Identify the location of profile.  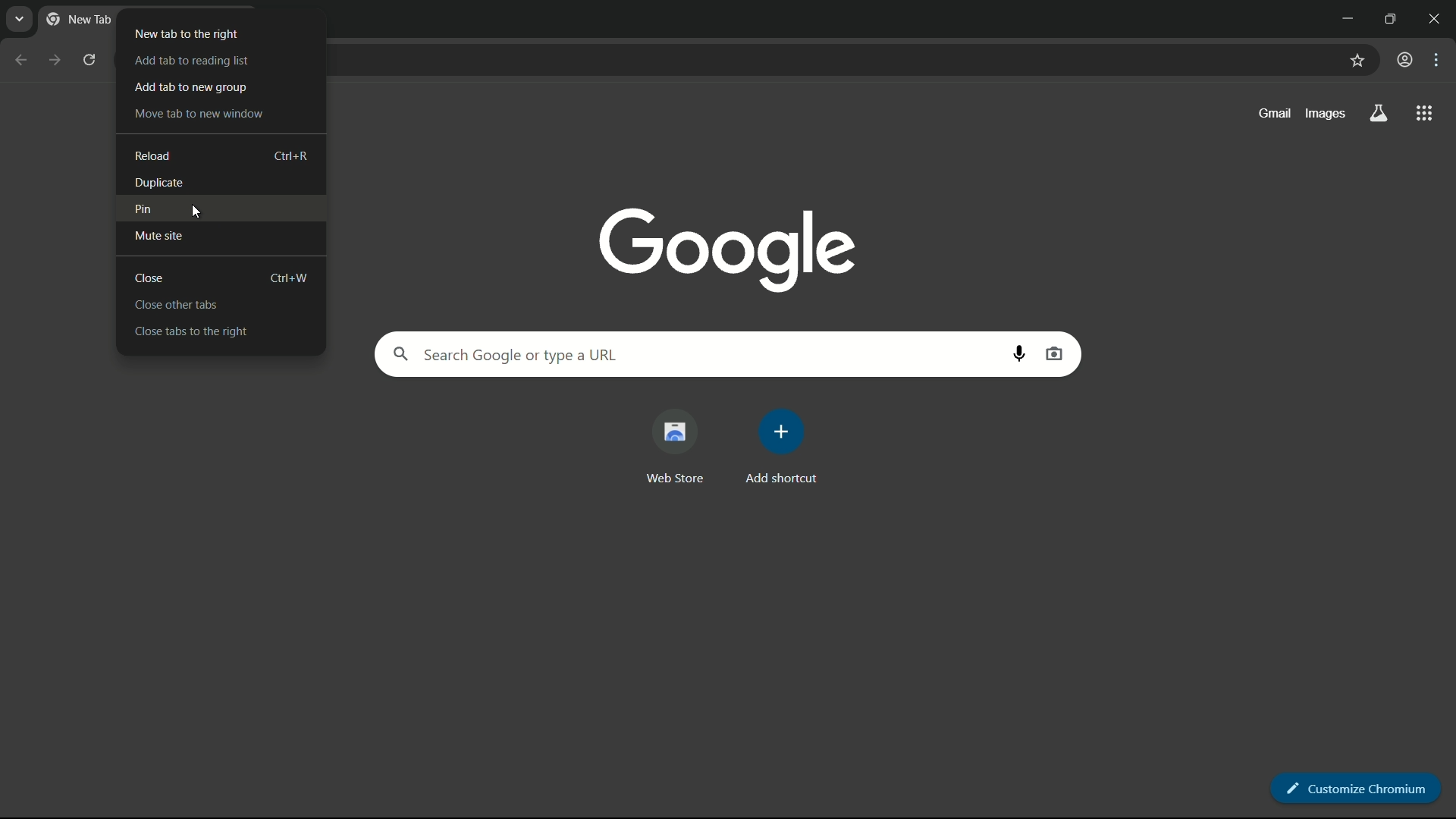
(1405, 60).